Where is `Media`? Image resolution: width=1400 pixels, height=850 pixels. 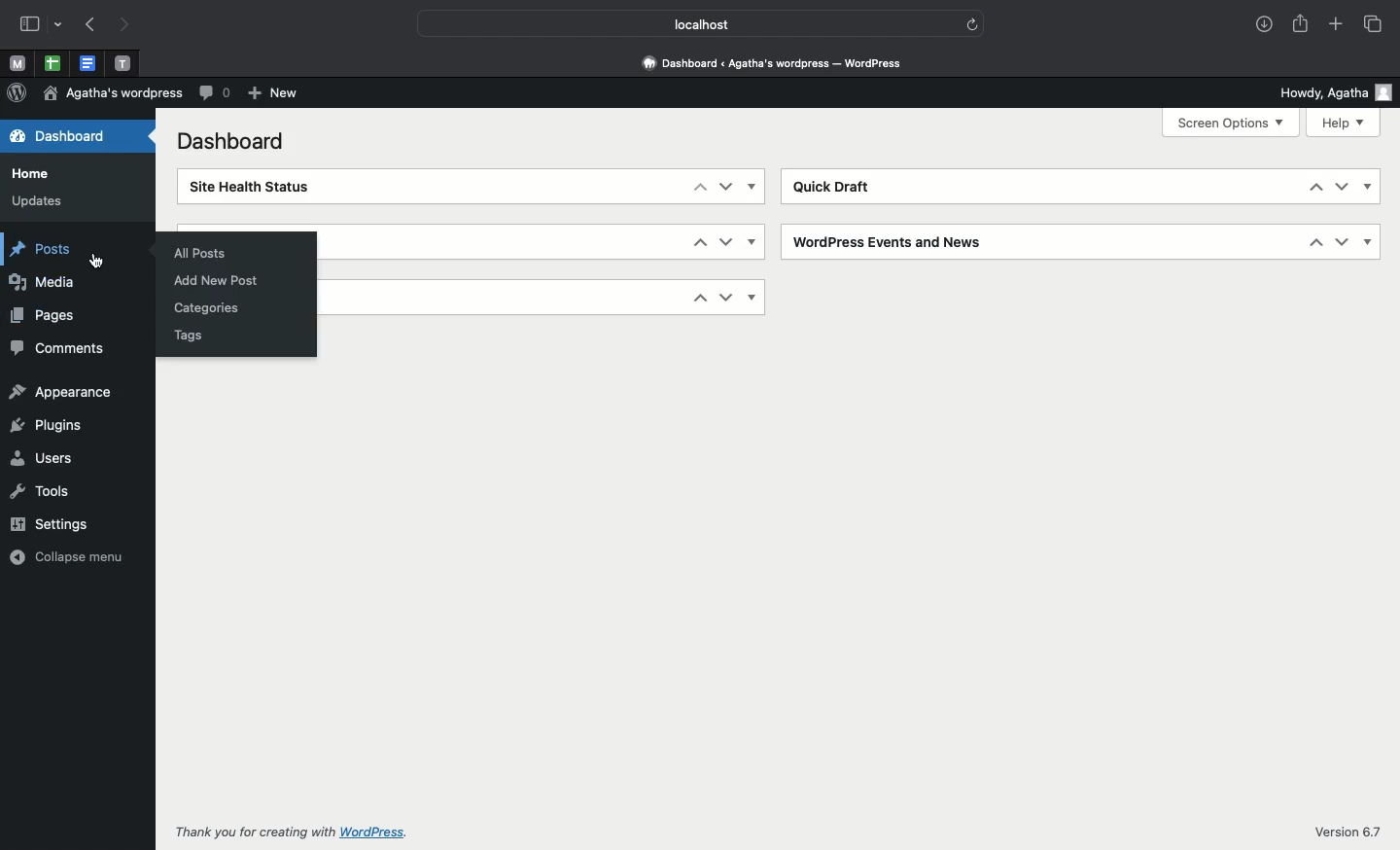
Media is located at coordinates (48, 285).